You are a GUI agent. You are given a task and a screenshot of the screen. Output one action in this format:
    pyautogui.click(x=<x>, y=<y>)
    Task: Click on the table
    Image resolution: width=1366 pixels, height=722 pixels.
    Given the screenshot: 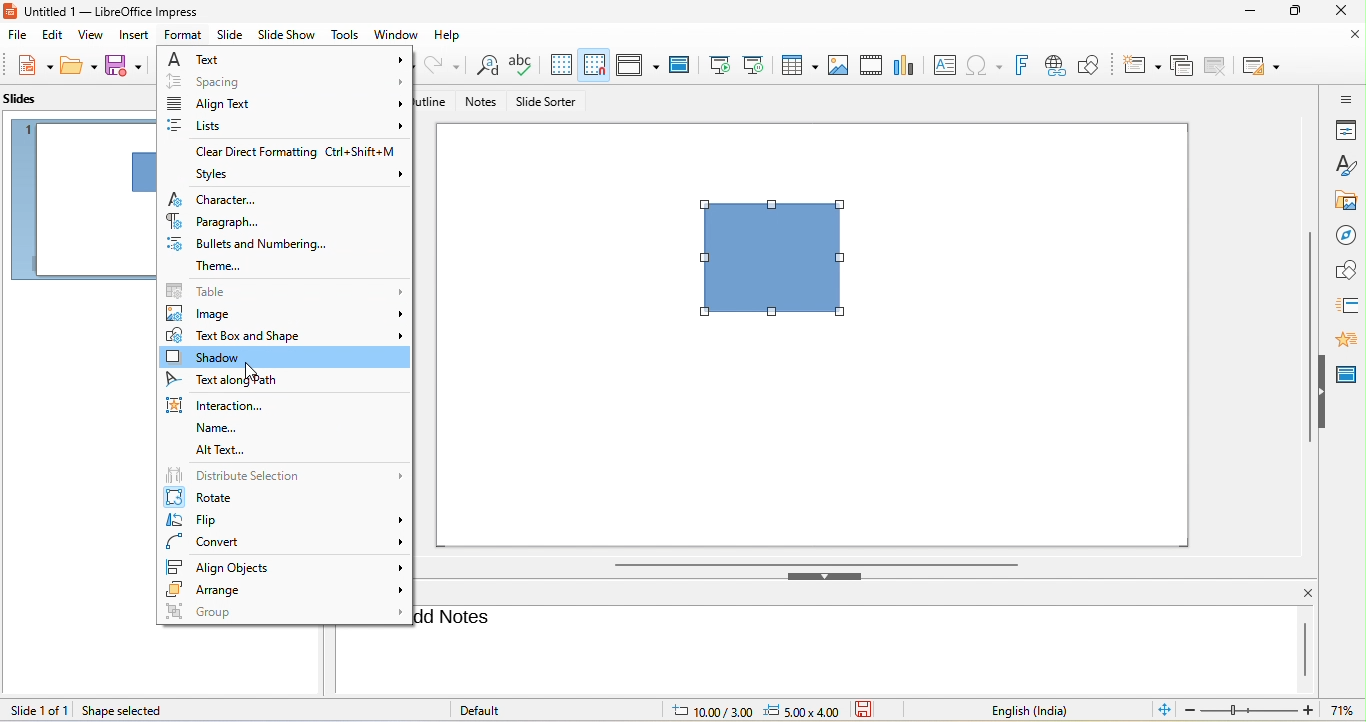 What is the action you would take?
    pyautogui.click(x=283, y=291)
    